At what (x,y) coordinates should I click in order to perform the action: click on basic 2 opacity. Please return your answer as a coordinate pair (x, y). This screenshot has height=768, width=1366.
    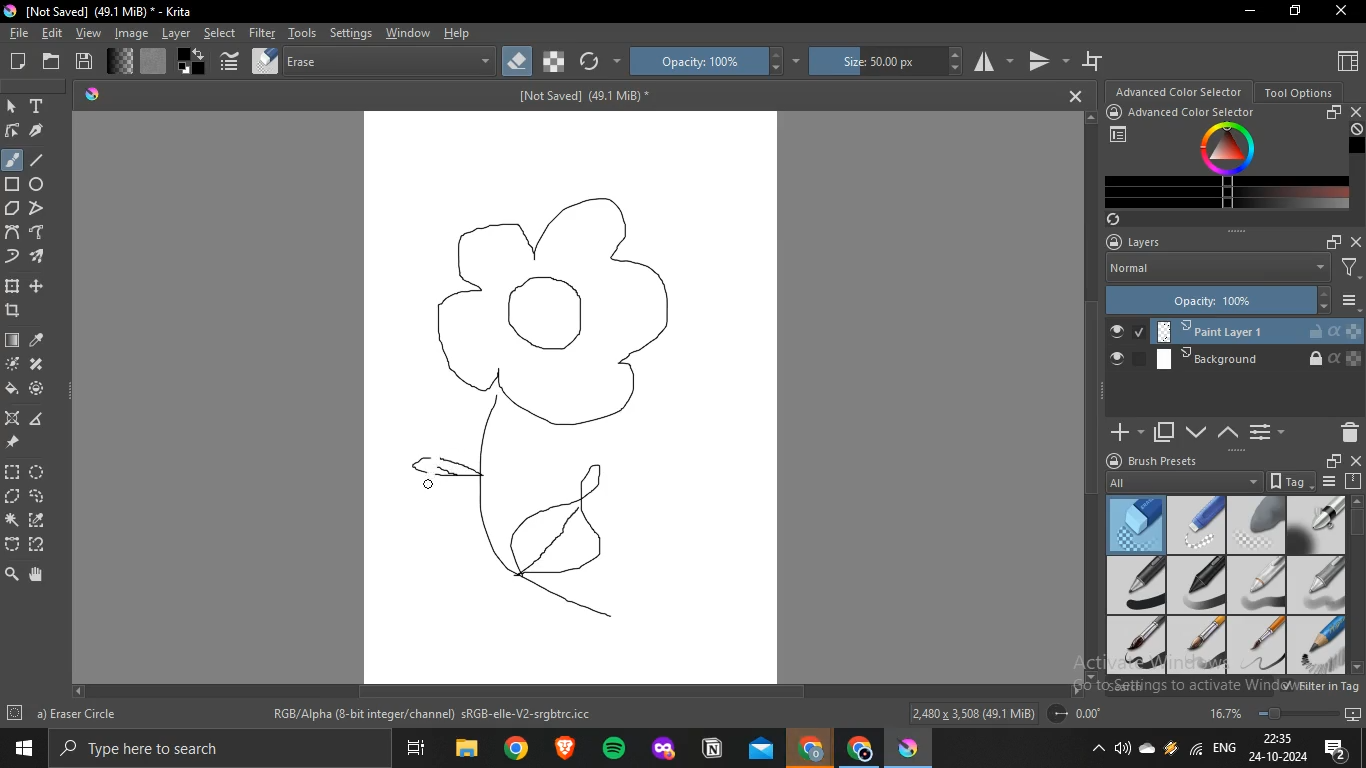
    Looking at the image, I should click on (1196, 585).